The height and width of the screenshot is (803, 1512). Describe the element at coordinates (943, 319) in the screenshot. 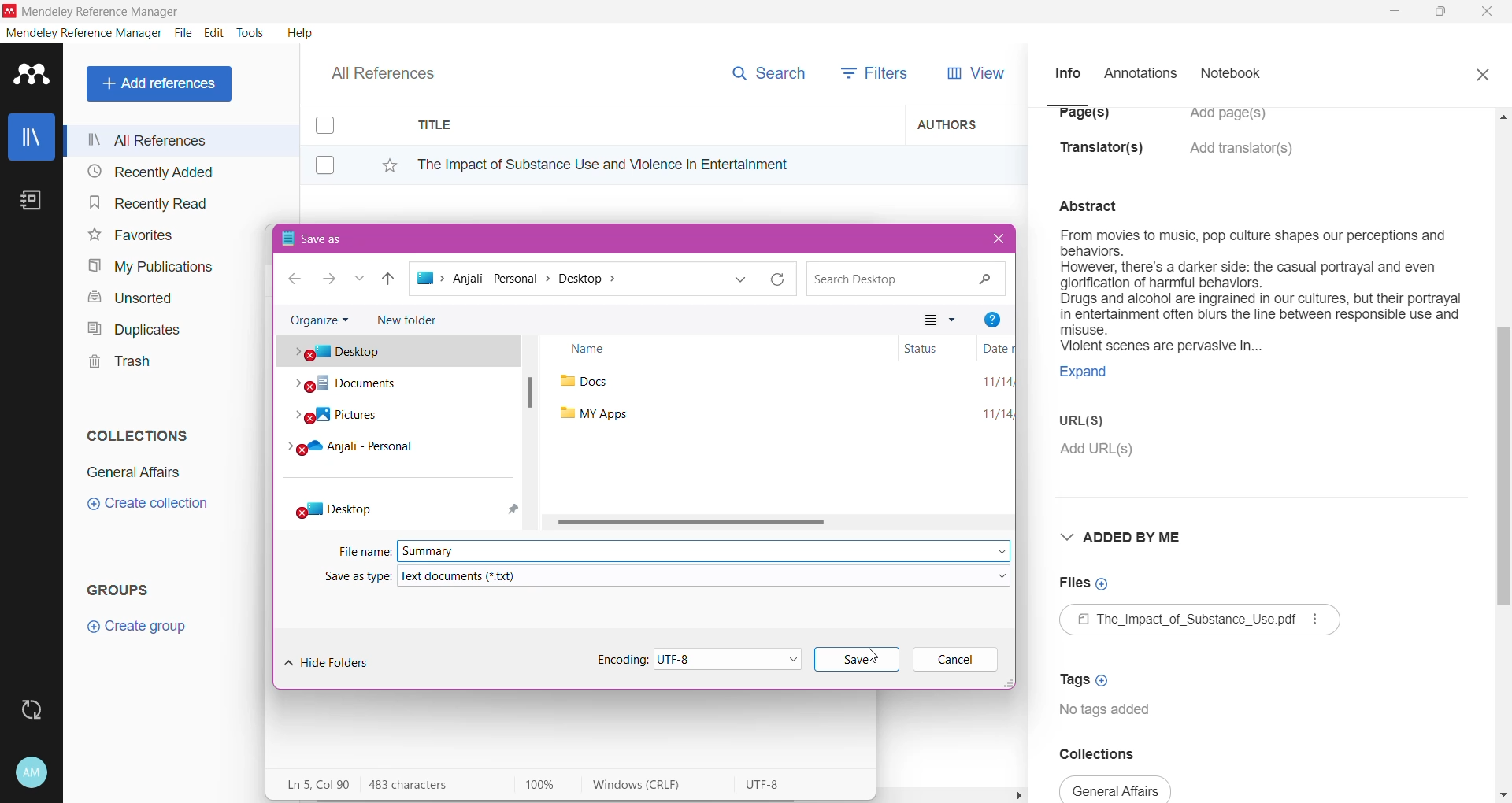

I see `Change your view` at that location.